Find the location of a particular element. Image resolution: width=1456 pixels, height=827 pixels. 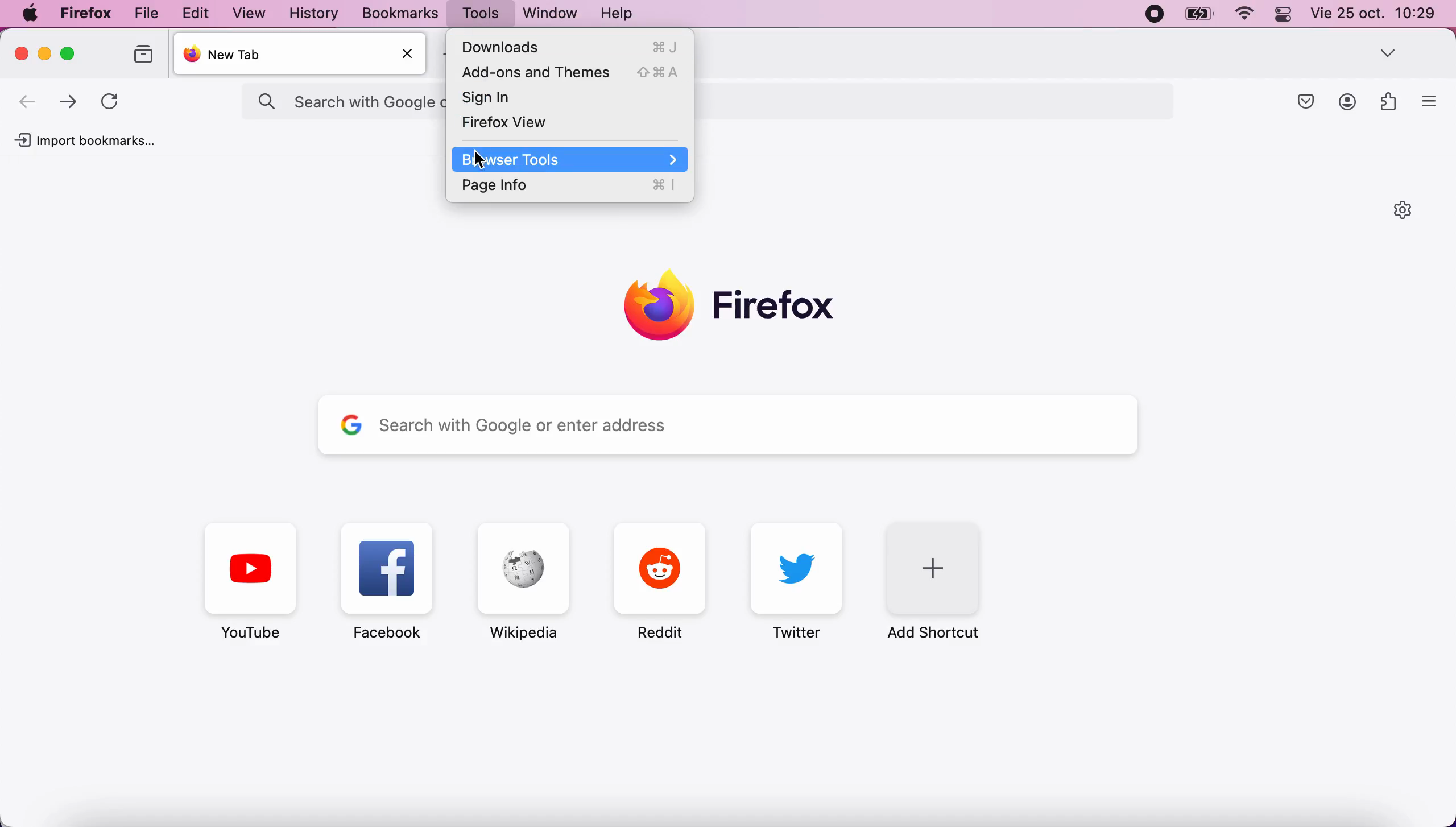

Cursor is located at coordinates (483, 161).